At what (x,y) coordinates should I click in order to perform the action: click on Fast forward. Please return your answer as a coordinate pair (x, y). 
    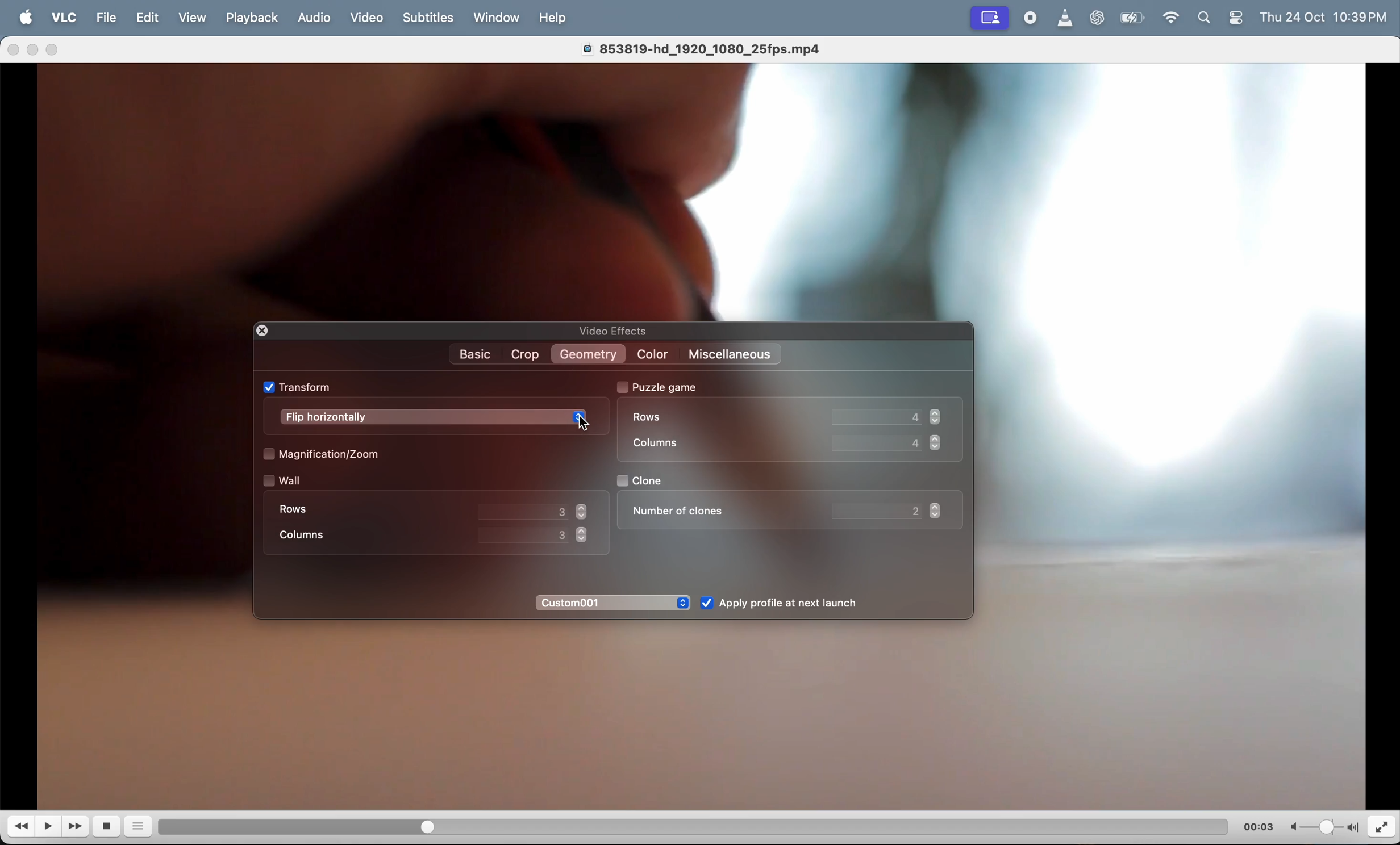
    Looking at the image, I should click on (77, 826).